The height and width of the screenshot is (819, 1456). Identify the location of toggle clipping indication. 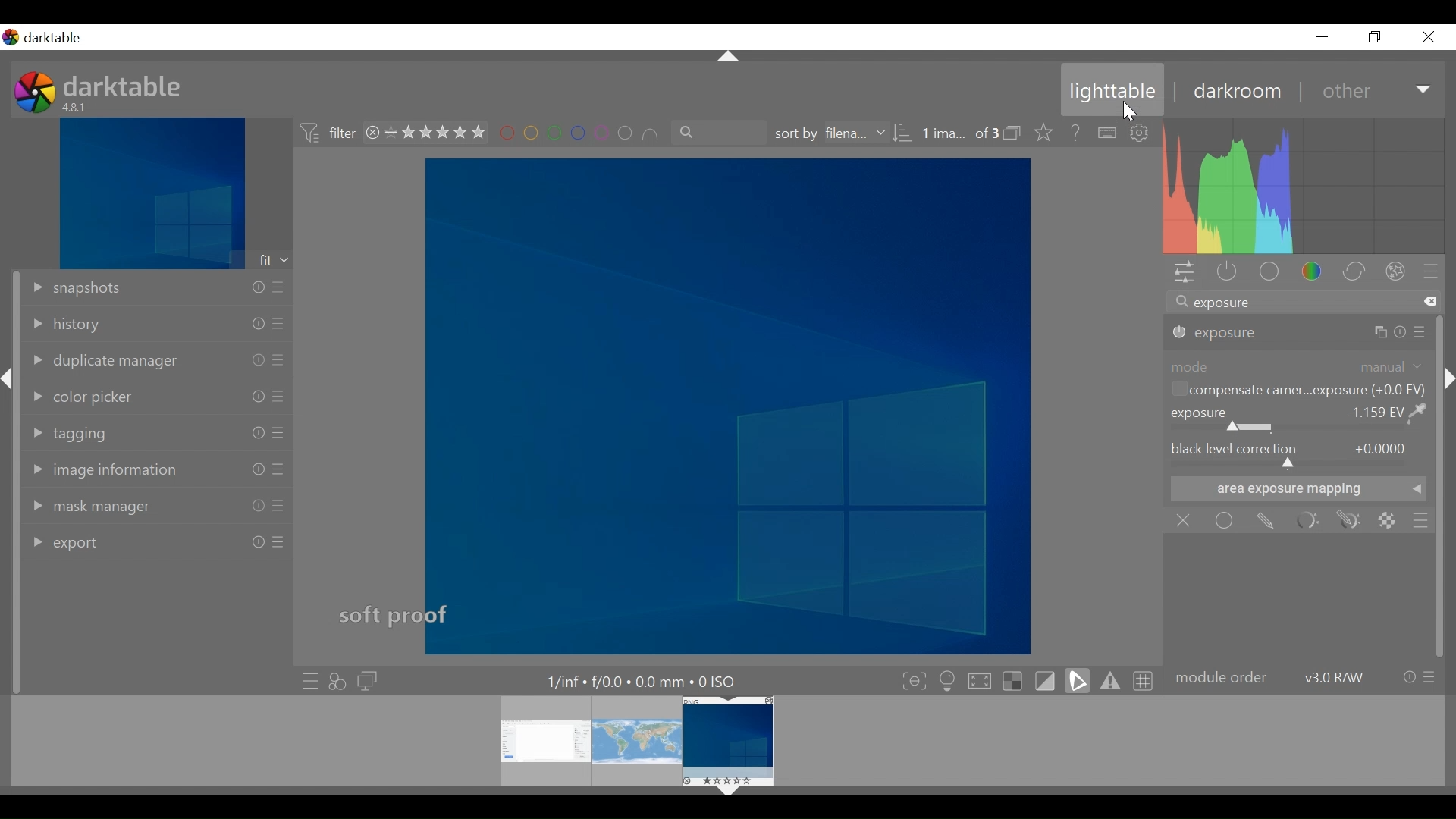
(1078, 679).